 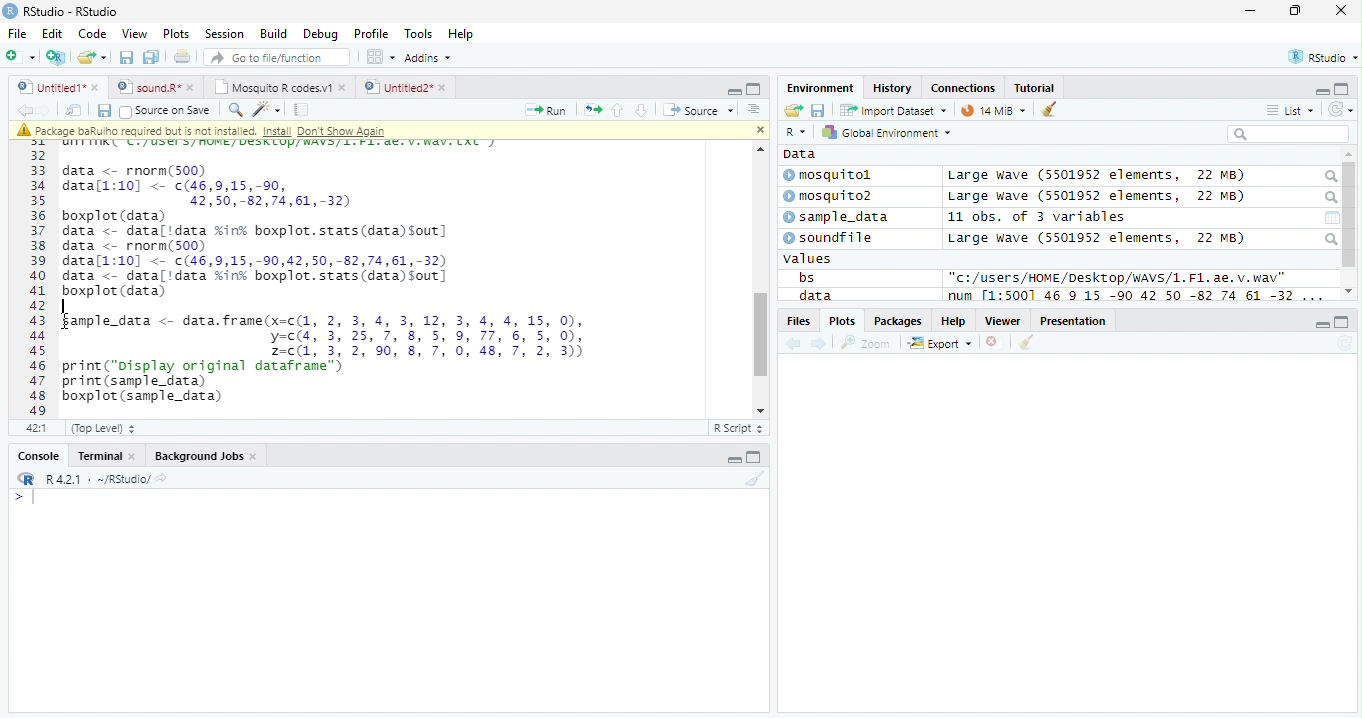 What do you see at coordinates (754, 456) in the screenshot?
I see `full screen` at bounding box center [754, 456].